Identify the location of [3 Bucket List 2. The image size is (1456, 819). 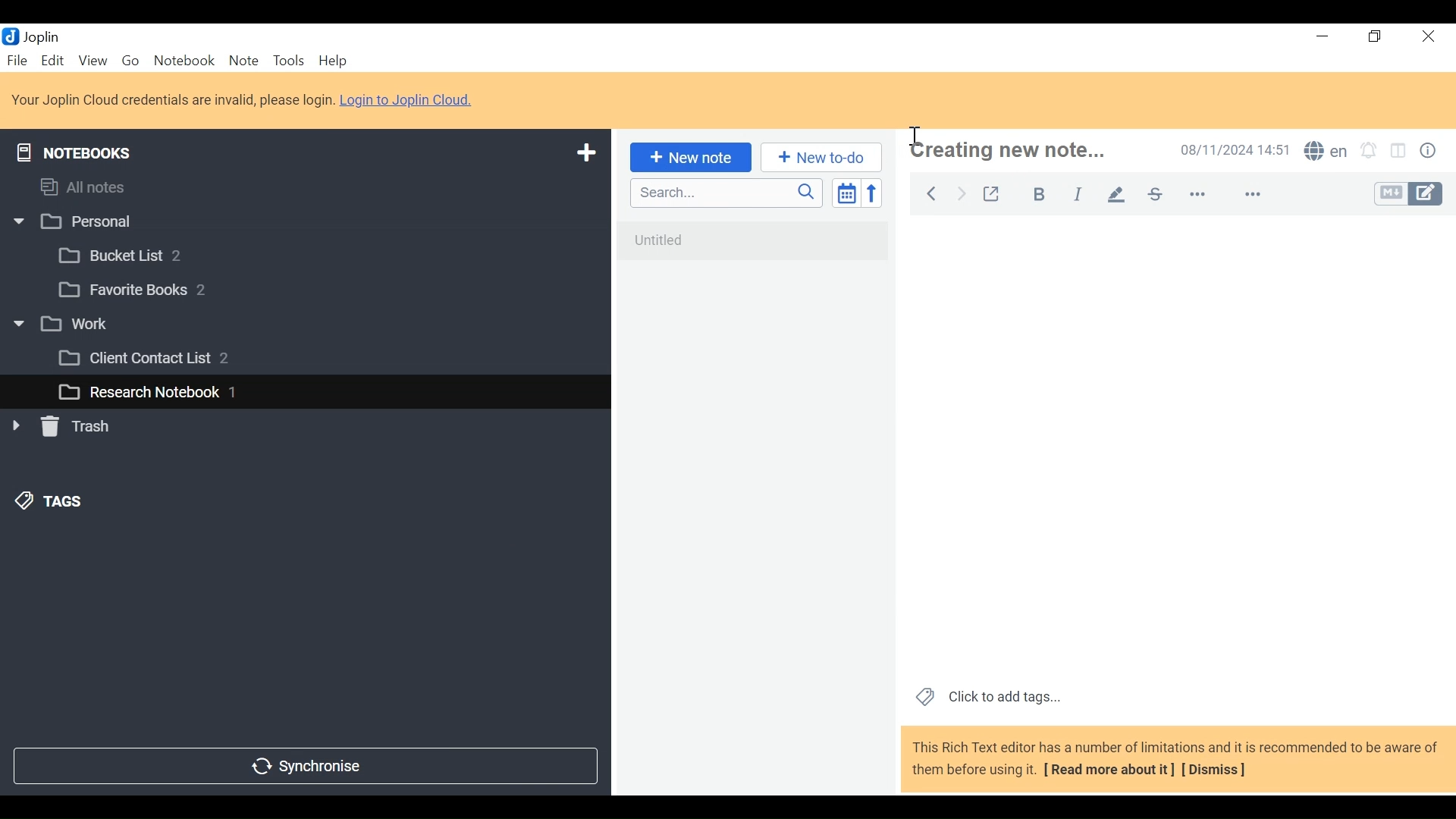
(149, 254).